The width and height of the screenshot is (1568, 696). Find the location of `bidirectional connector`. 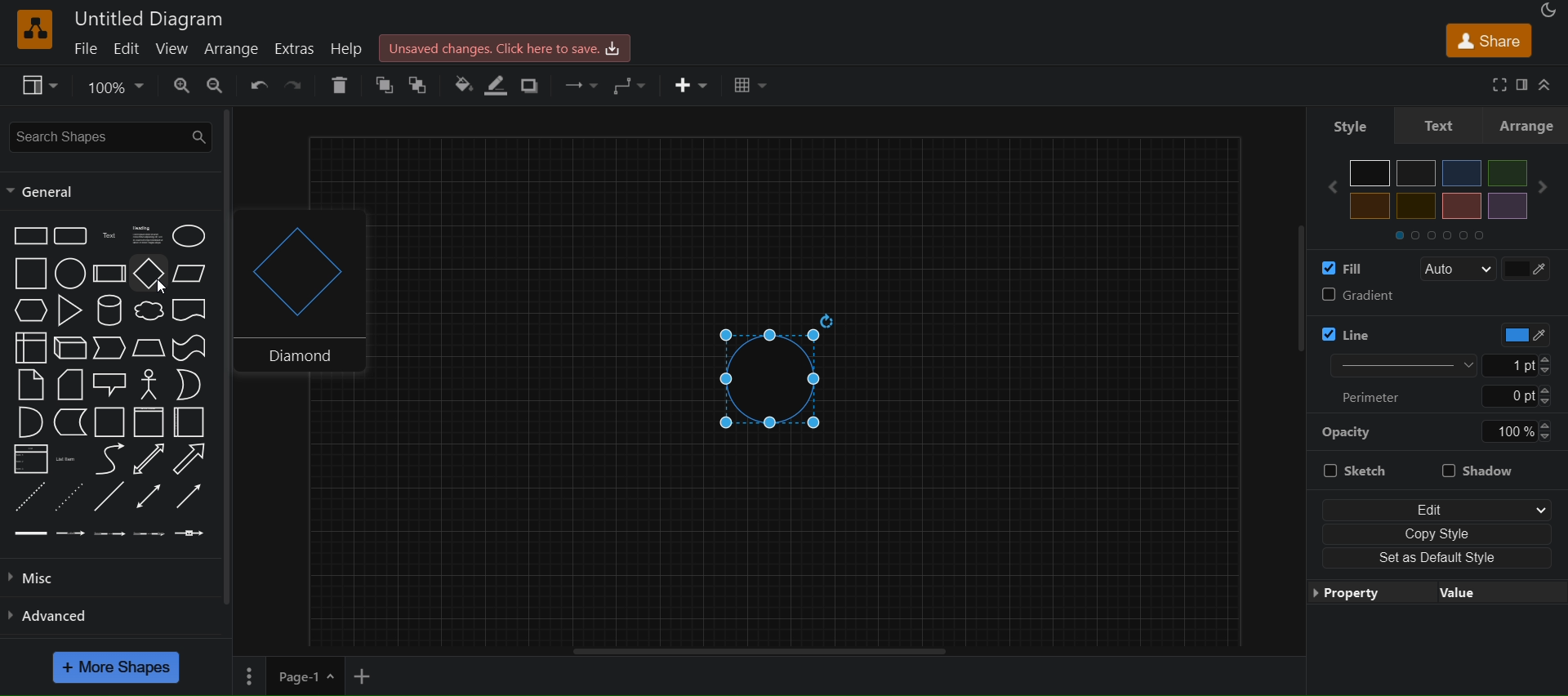

bidirectional connector is located at coordinates (151, 496).